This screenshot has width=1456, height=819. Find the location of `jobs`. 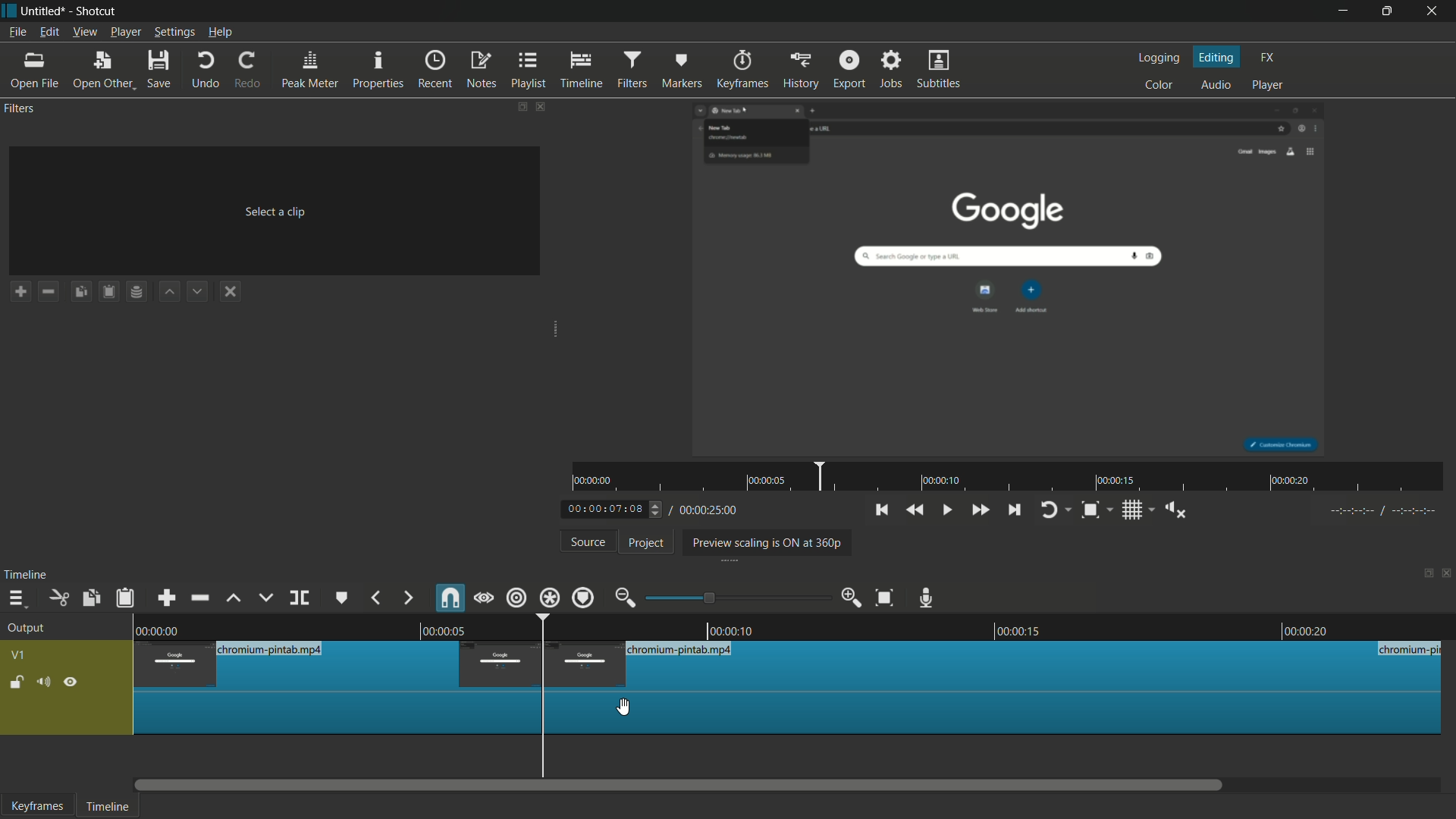

jobs is located at coordinates (890, 69).